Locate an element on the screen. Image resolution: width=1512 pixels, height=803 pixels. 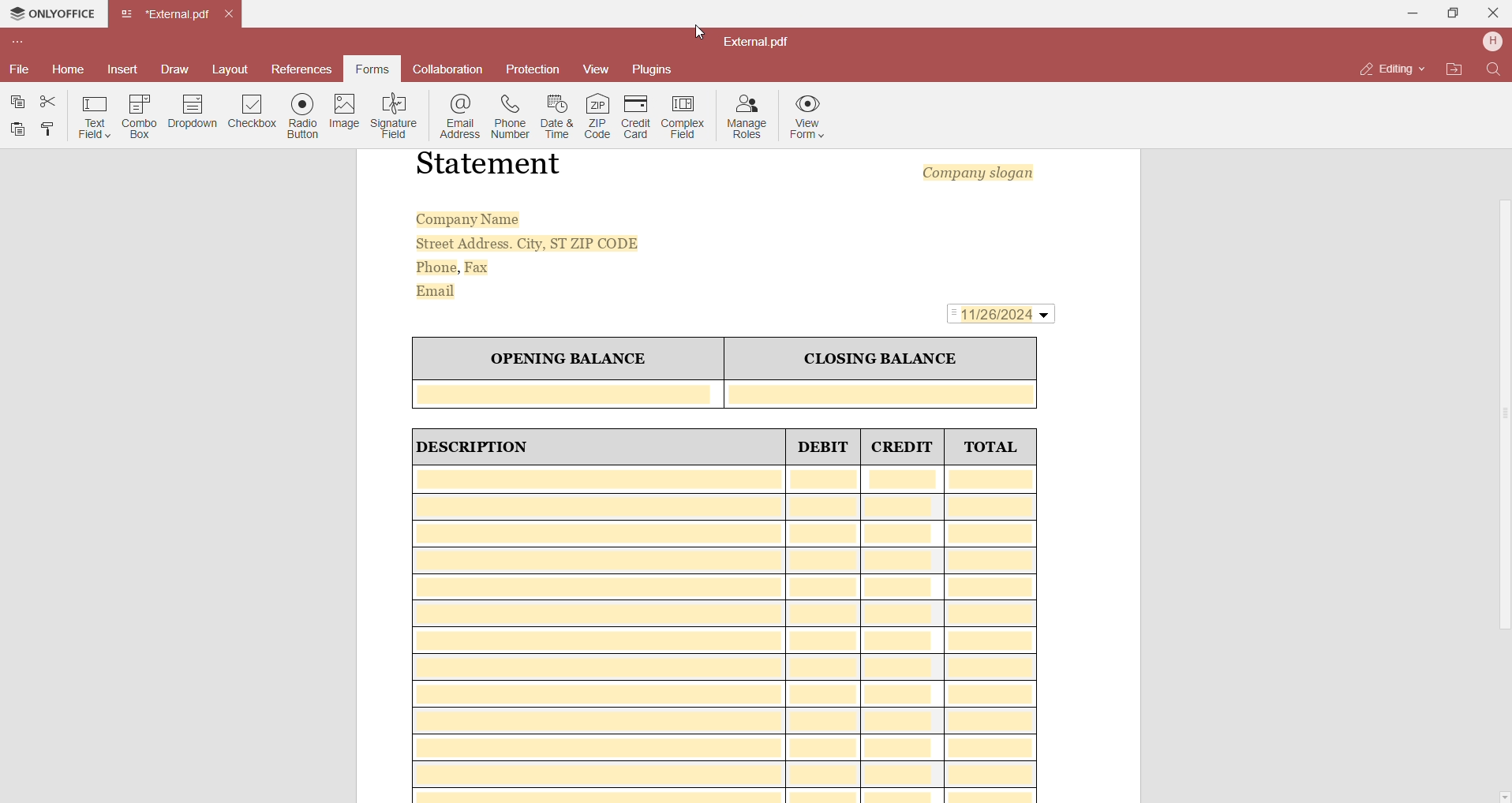
Editing is located at coordinates (1387, 70).